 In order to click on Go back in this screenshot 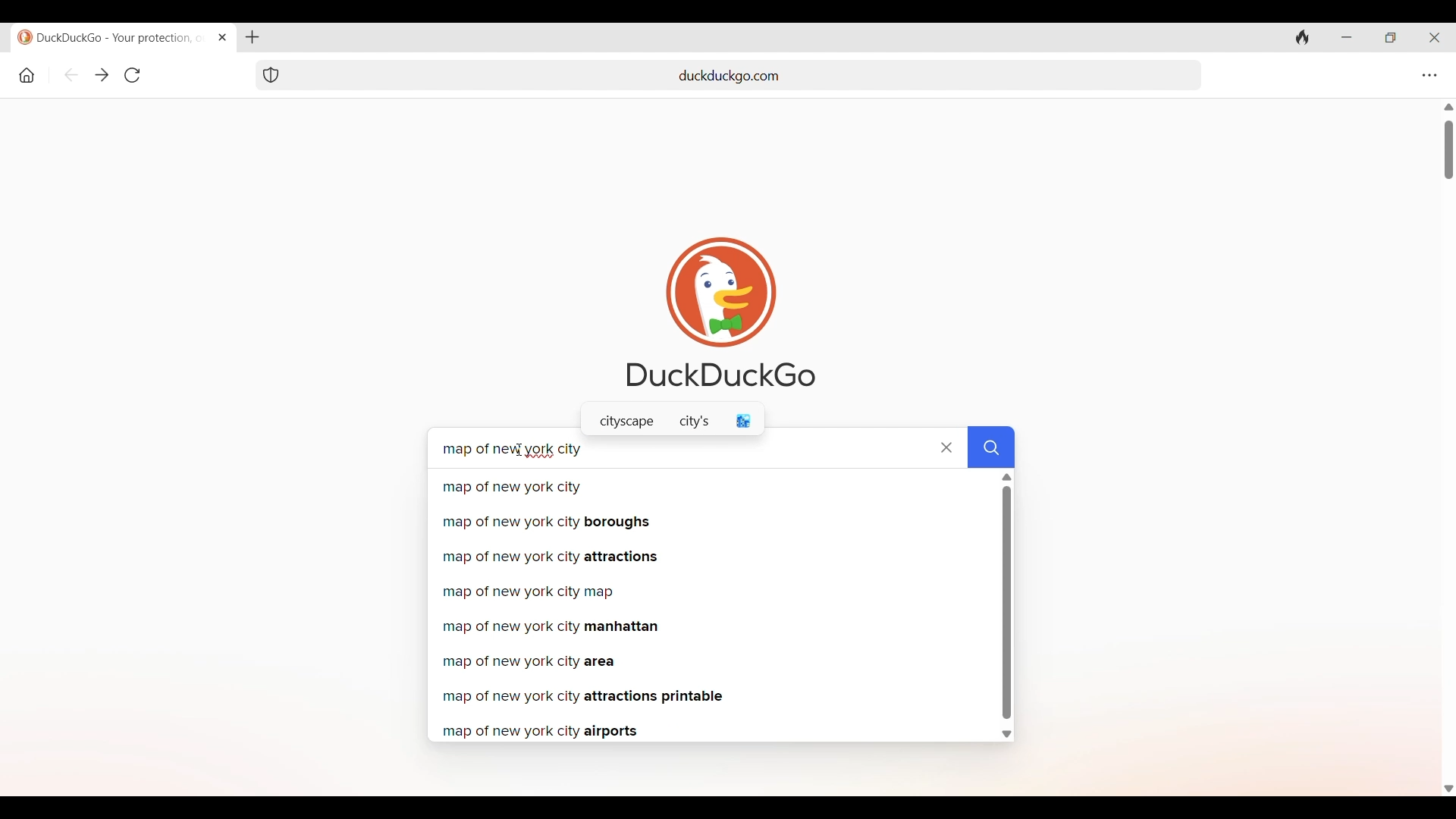, I will do `click(71, 74)`.